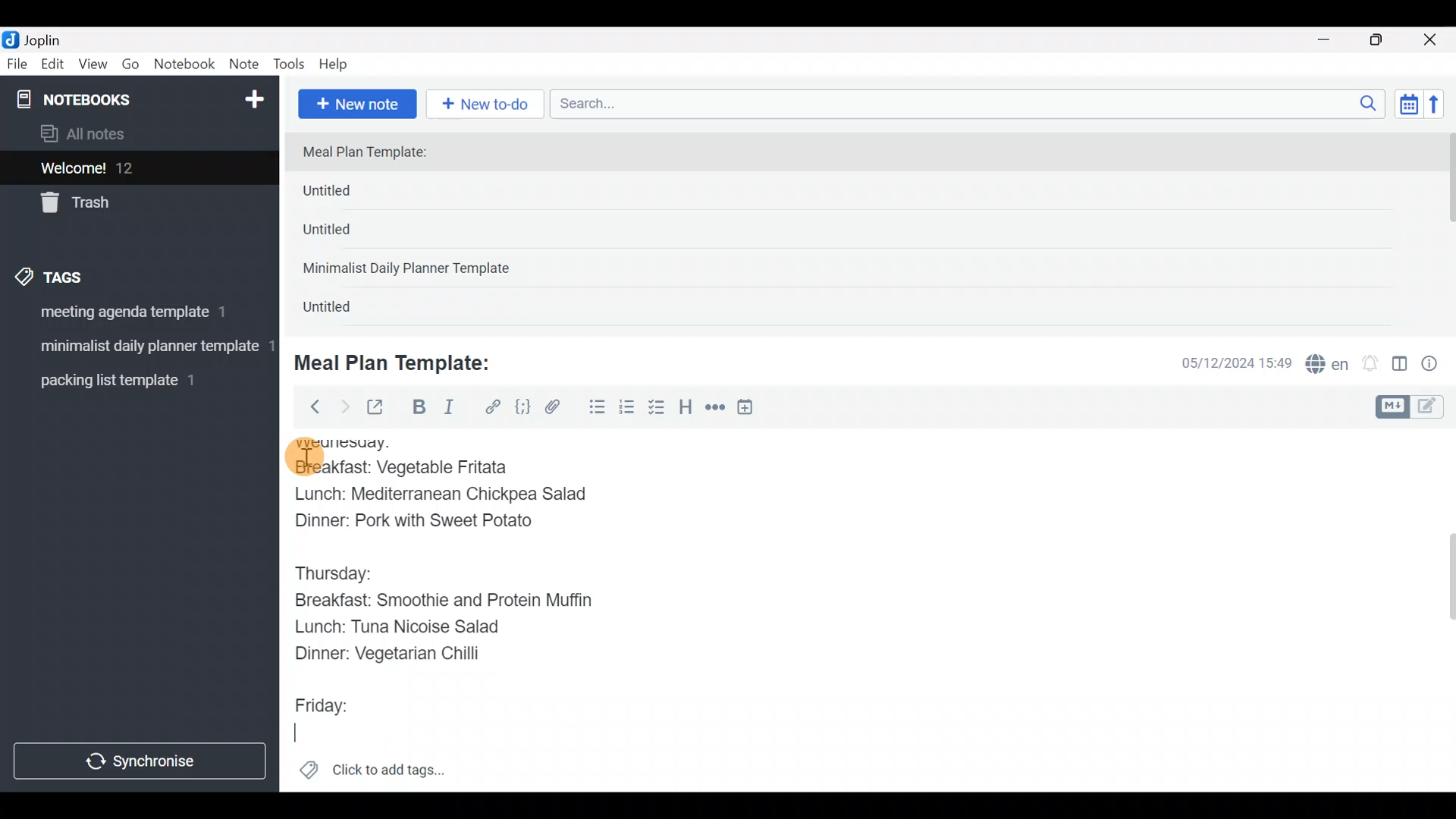 This screenshot has width=1456, height=819. Describe the element at coordinates (130, 204) in the screenshot. I see `Trash` at that location.